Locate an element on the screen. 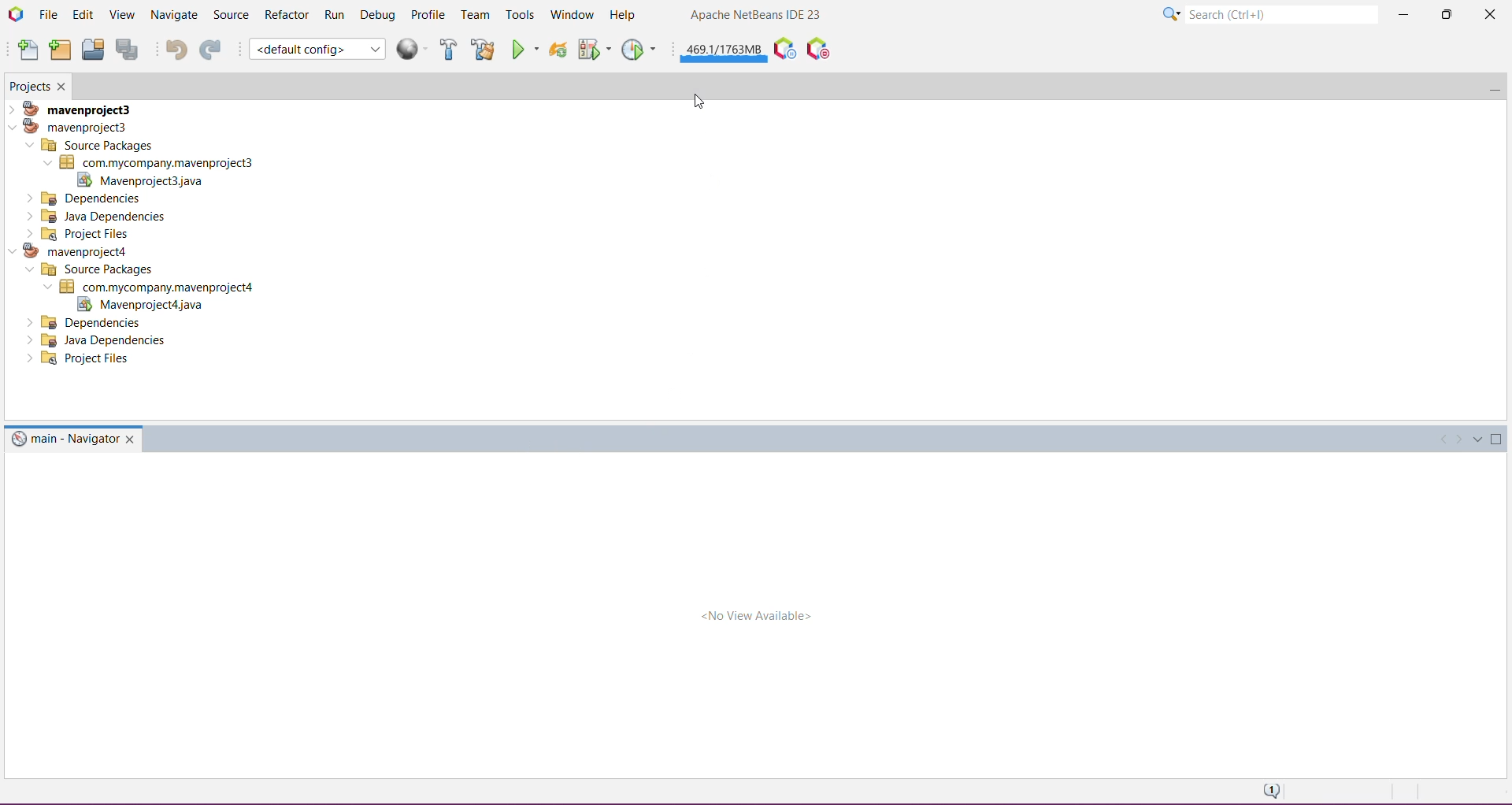 This screenshot has height=805, width=1512. Application Name and Version Name is located at coordinates (757, 16).